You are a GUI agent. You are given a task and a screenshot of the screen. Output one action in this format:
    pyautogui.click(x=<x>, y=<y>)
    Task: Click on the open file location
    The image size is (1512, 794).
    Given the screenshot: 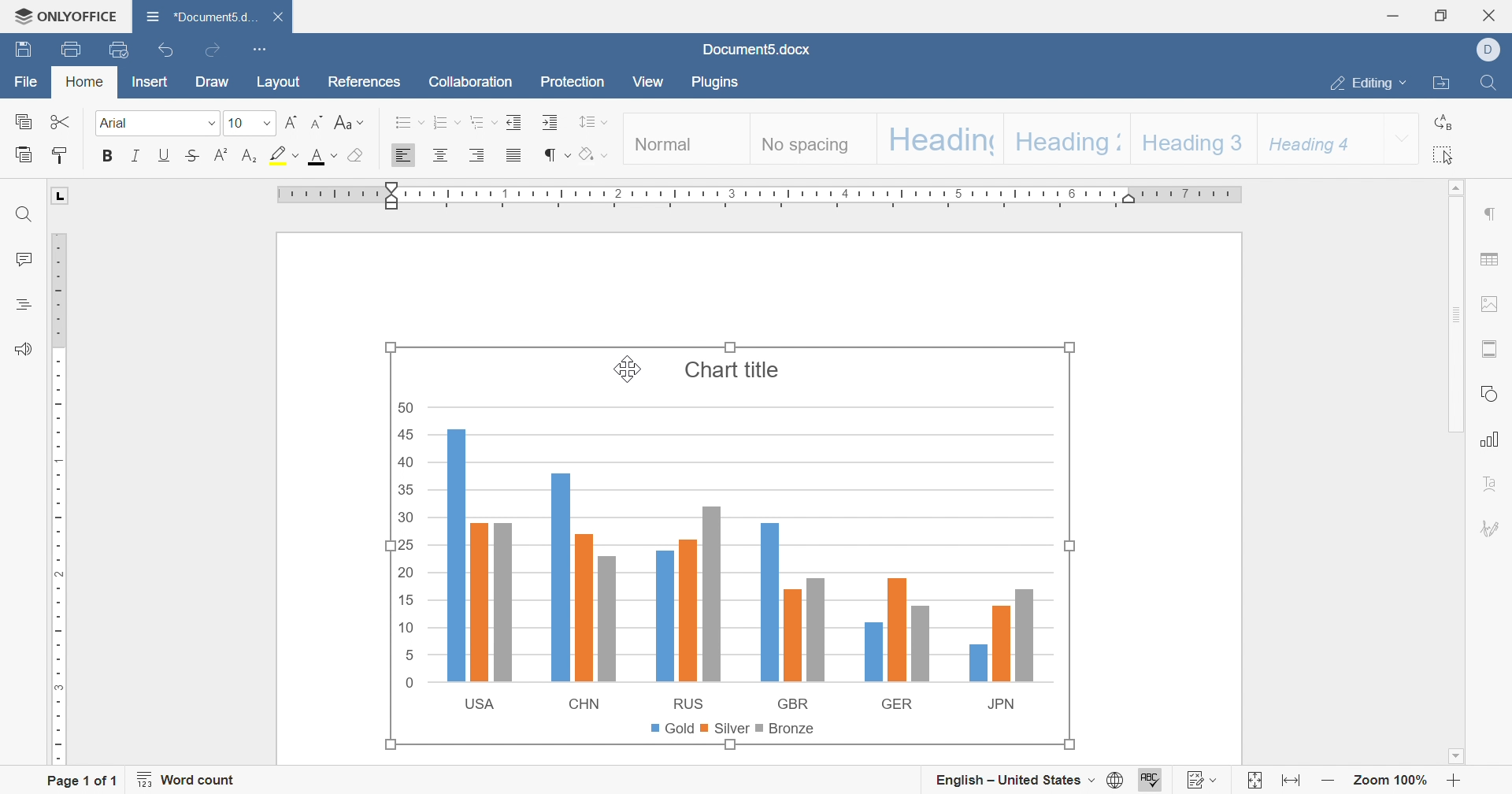 What is the action you would take?
    pyautogui.click(x=1443, y=83)
    